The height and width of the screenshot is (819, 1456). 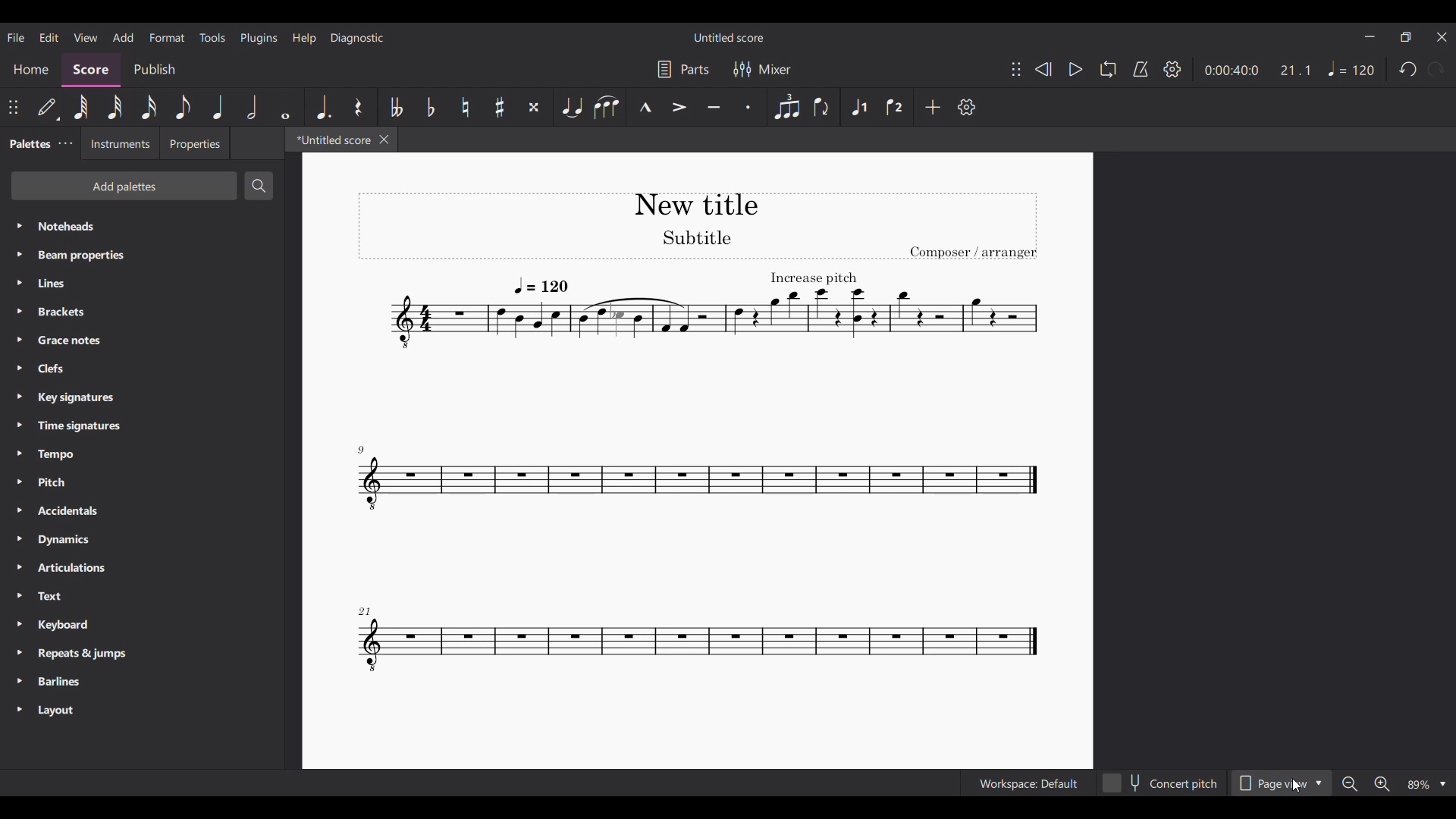 What do you see at coordinates (285, 107) in the screenshot?
I see `Whole note` at bounding box center [285, 107].